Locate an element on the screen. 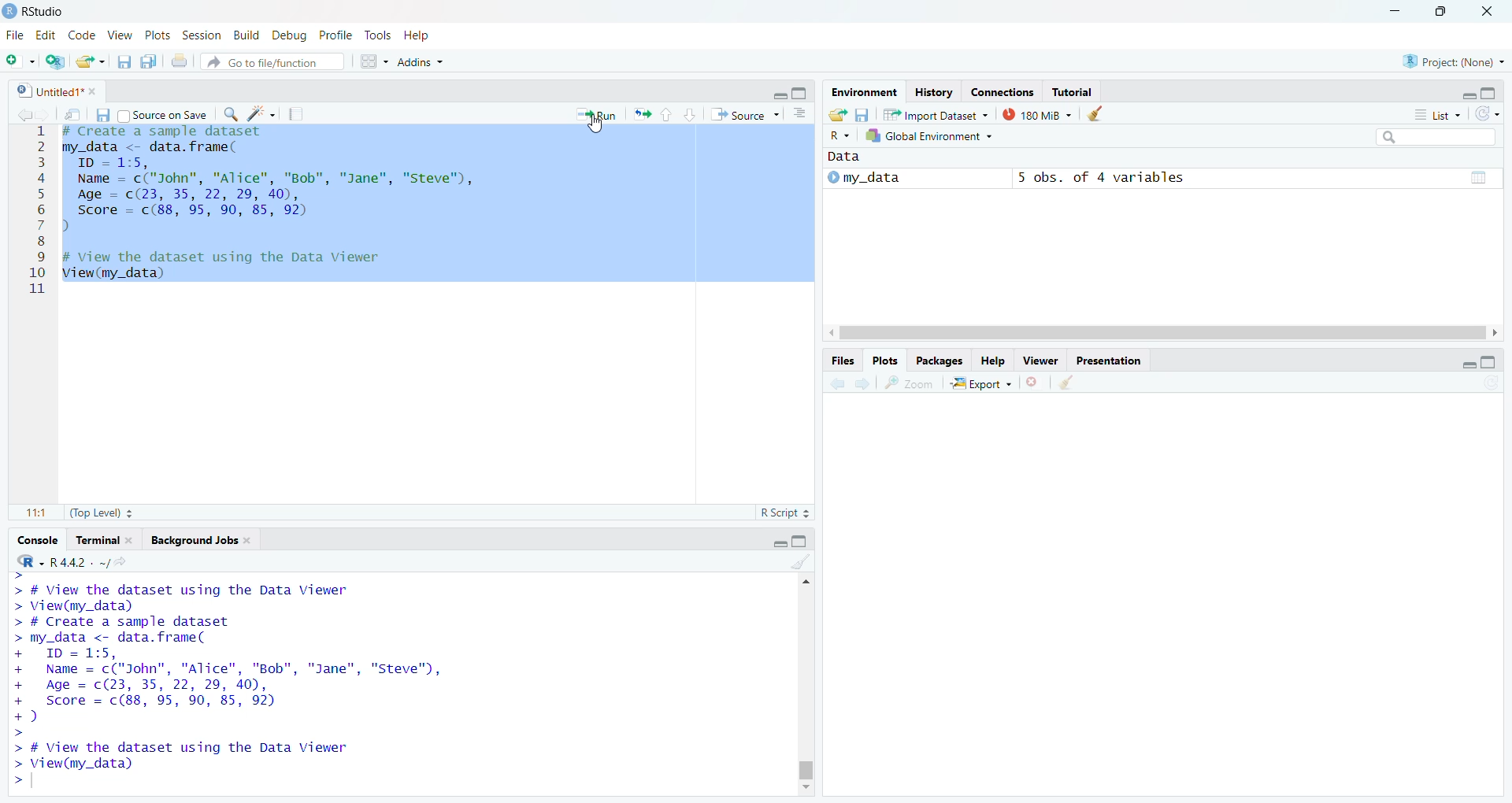  History is located at coordinates (932, 94).